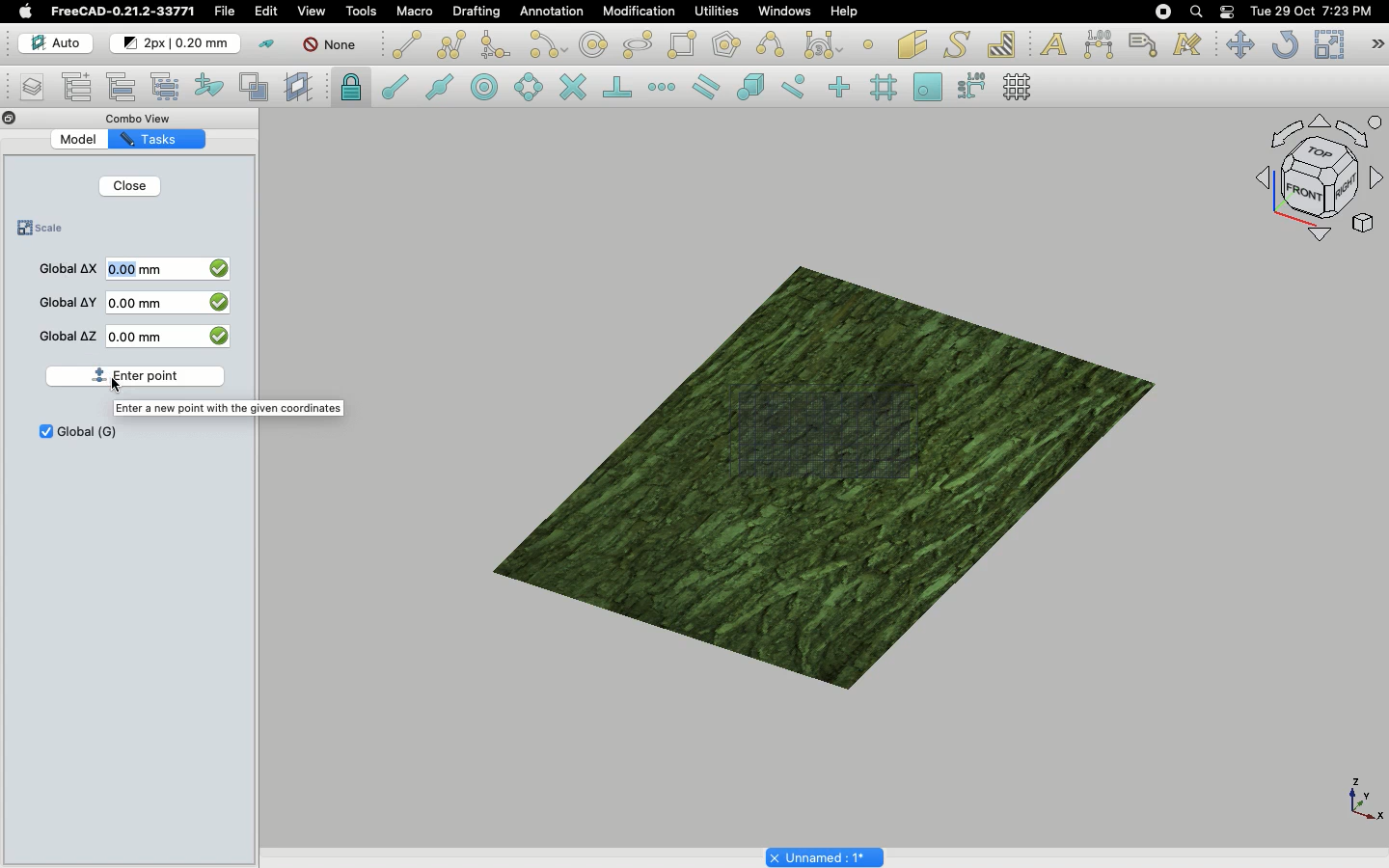 The width and height of the screenshot is (1389, 868). Describe the element at coordinates (308, 12) in the screenshot. I see `View` at that location.